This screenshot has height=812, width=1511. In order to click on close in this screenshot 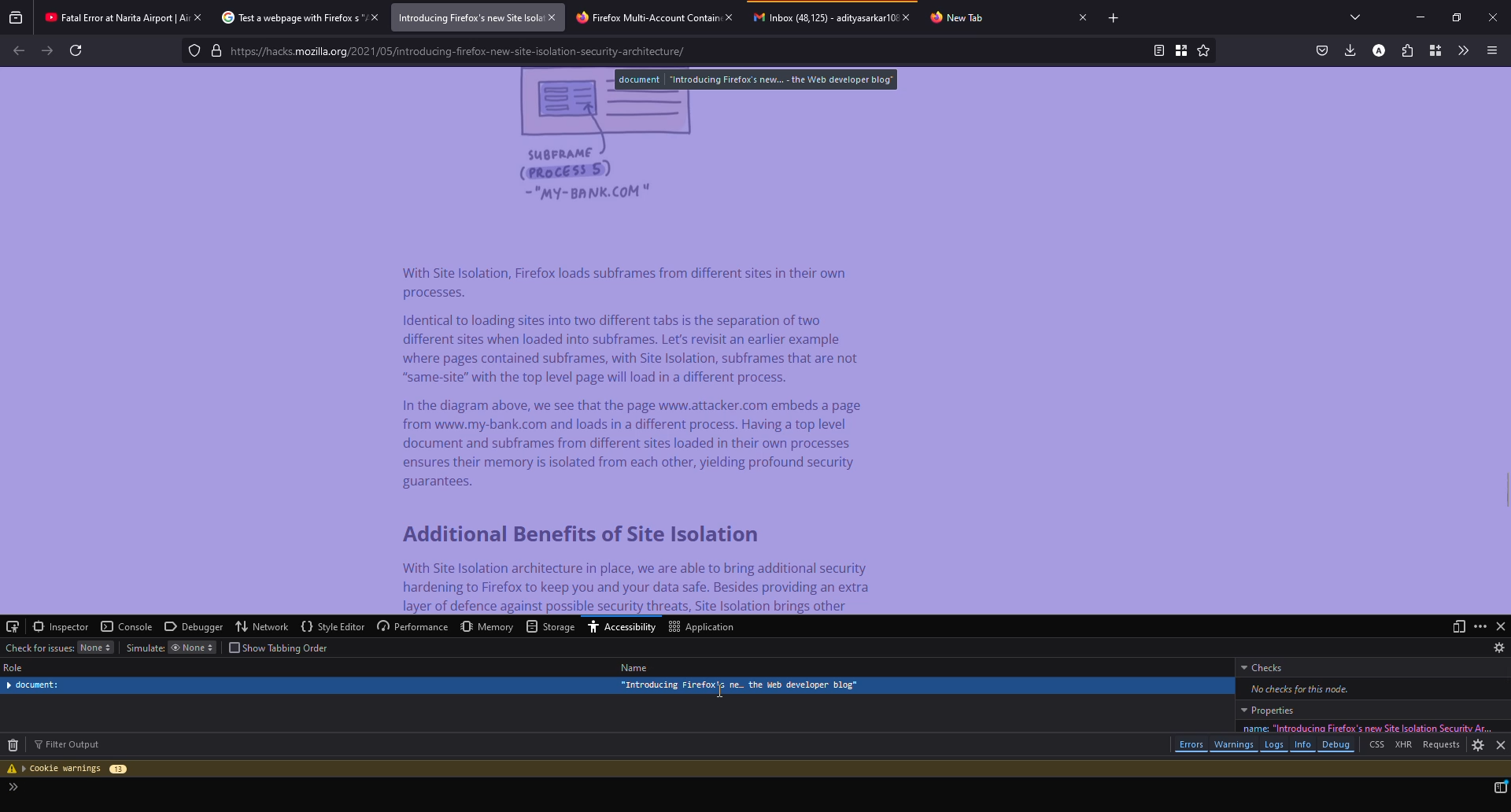, I will do `click(372, 17)`.